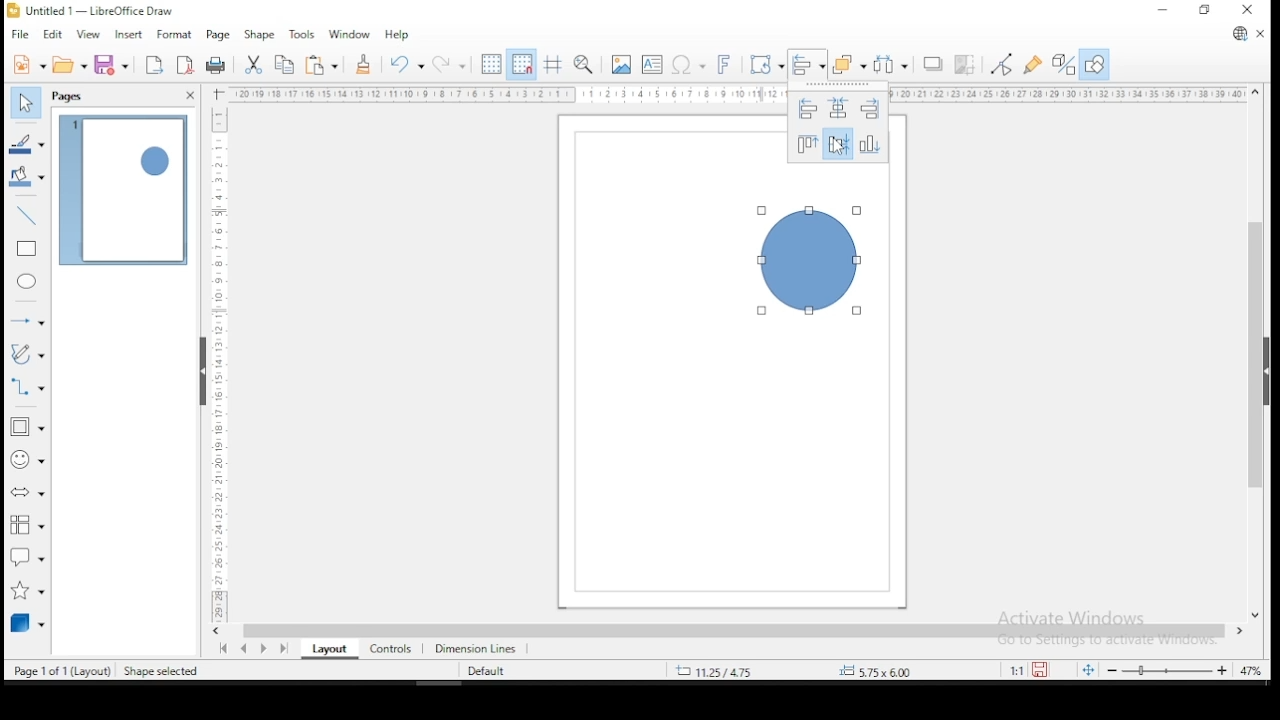  I want to click on block arrows, so click(28, 495).